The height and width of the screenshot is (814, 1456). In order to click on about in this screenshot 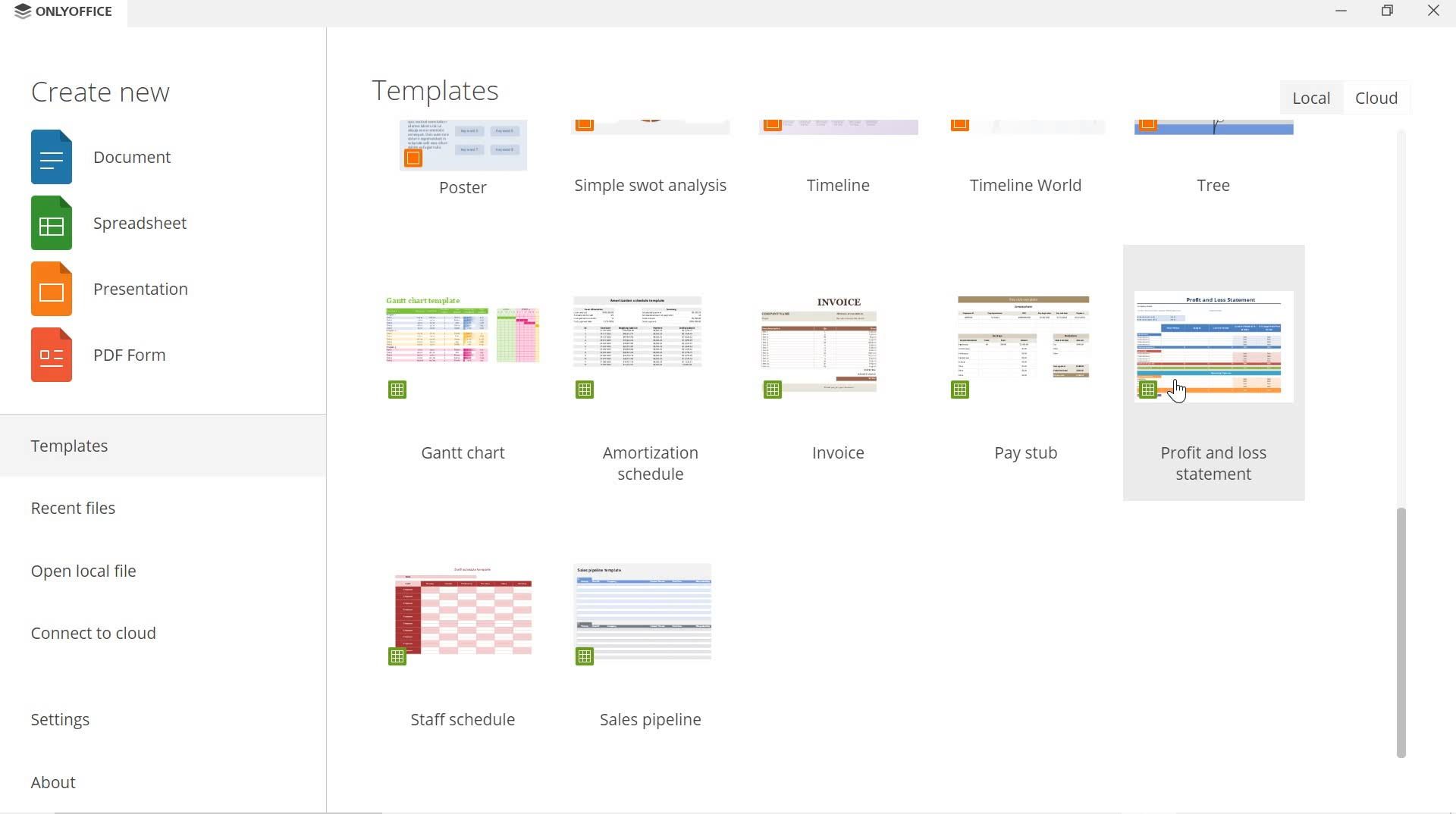, I will do `click(153, 778)`.